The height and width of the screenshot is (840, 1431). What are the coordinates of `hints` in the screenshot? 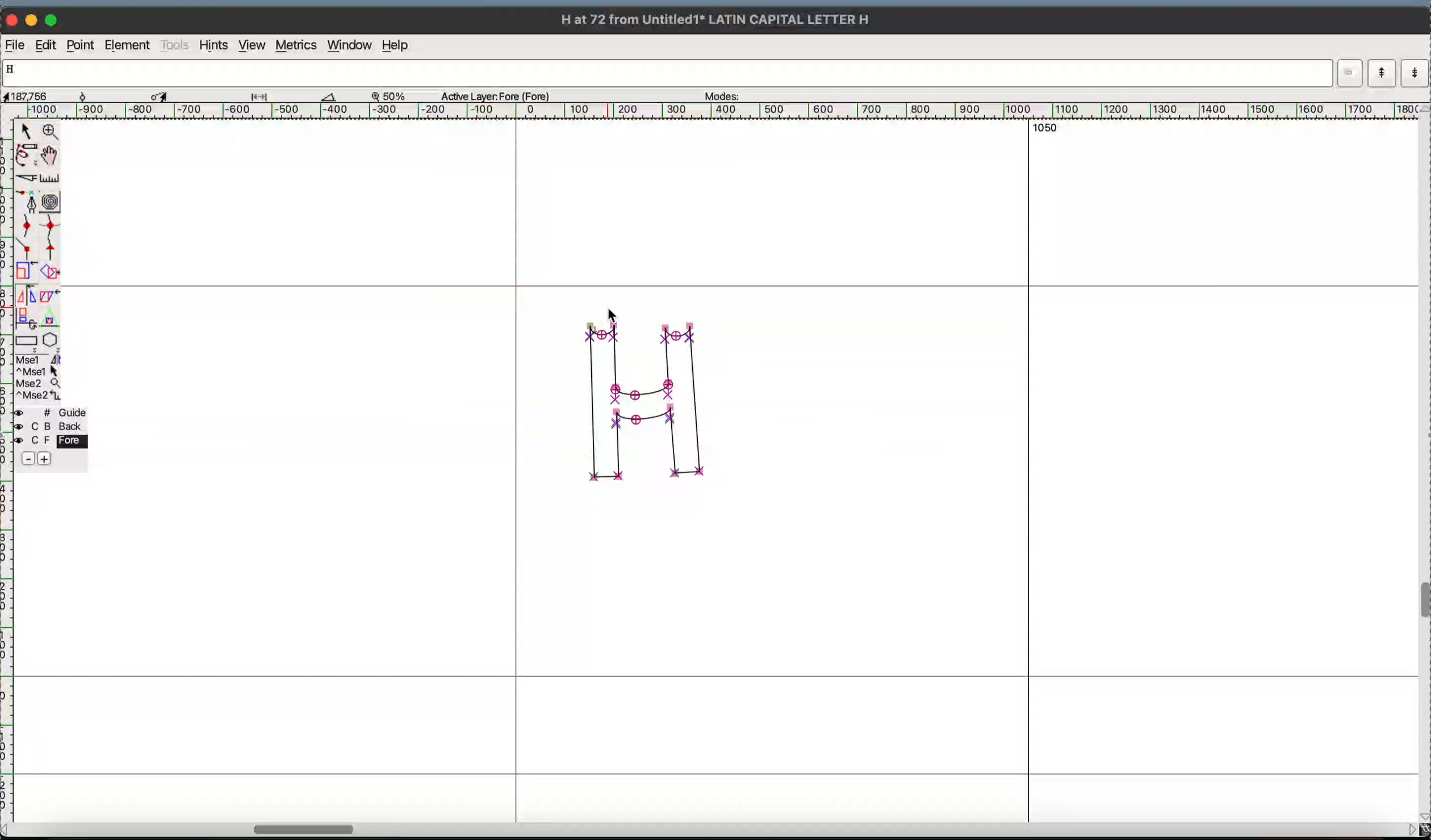 It's located at (211, 45).